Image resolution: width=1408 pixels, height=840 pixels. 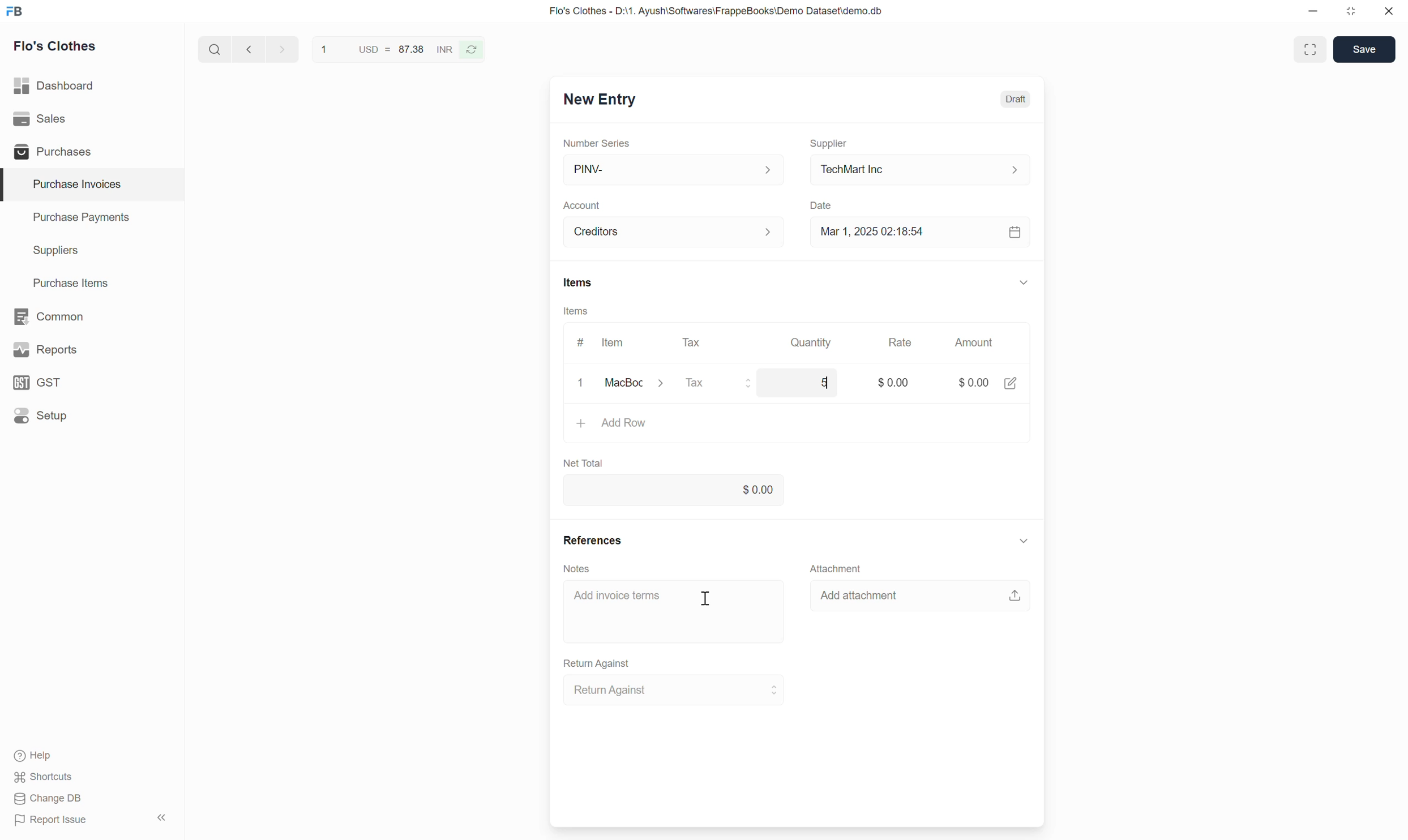 What do you see at coordinates (92, 218) in the screenshot?
I see `Purchase Payments` at bounding box center [92, 218].